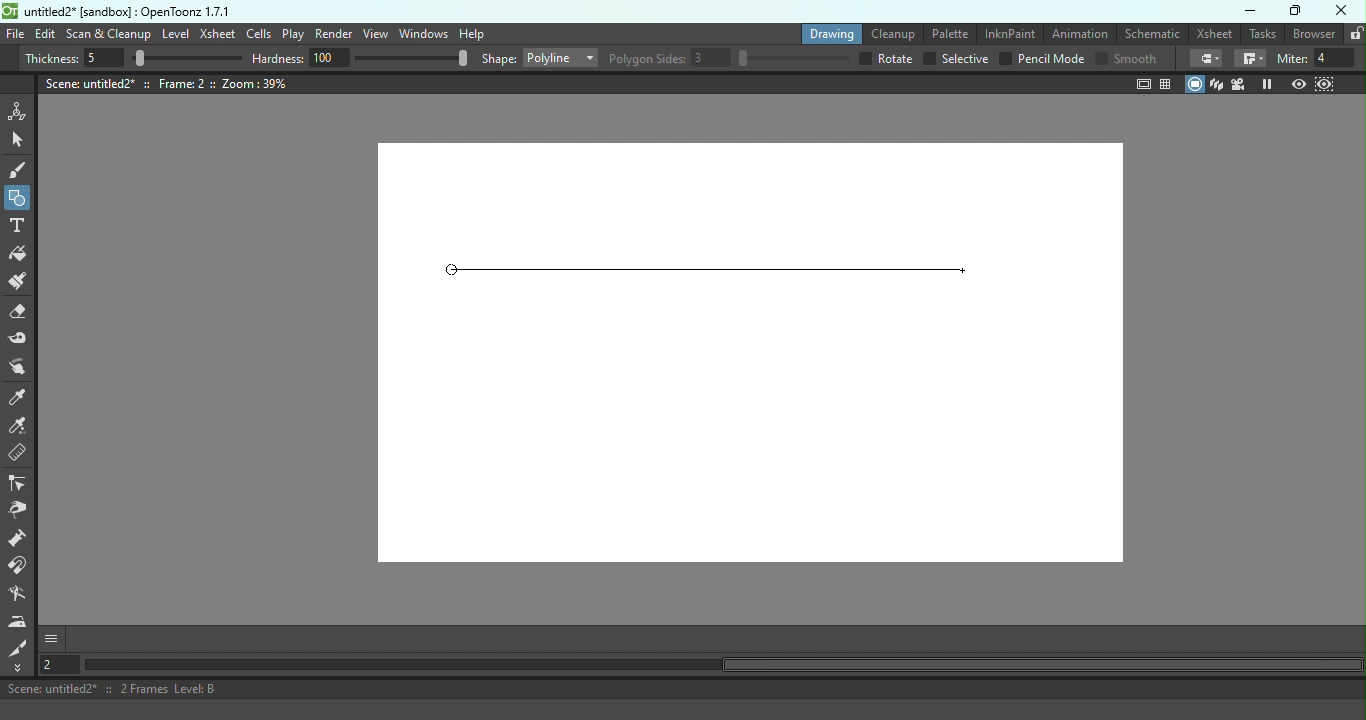 The image size is (1366, 720). Describe the element at coordinates (108, 34) in the screenshot. I see `Scan & Cleanup` at that location.